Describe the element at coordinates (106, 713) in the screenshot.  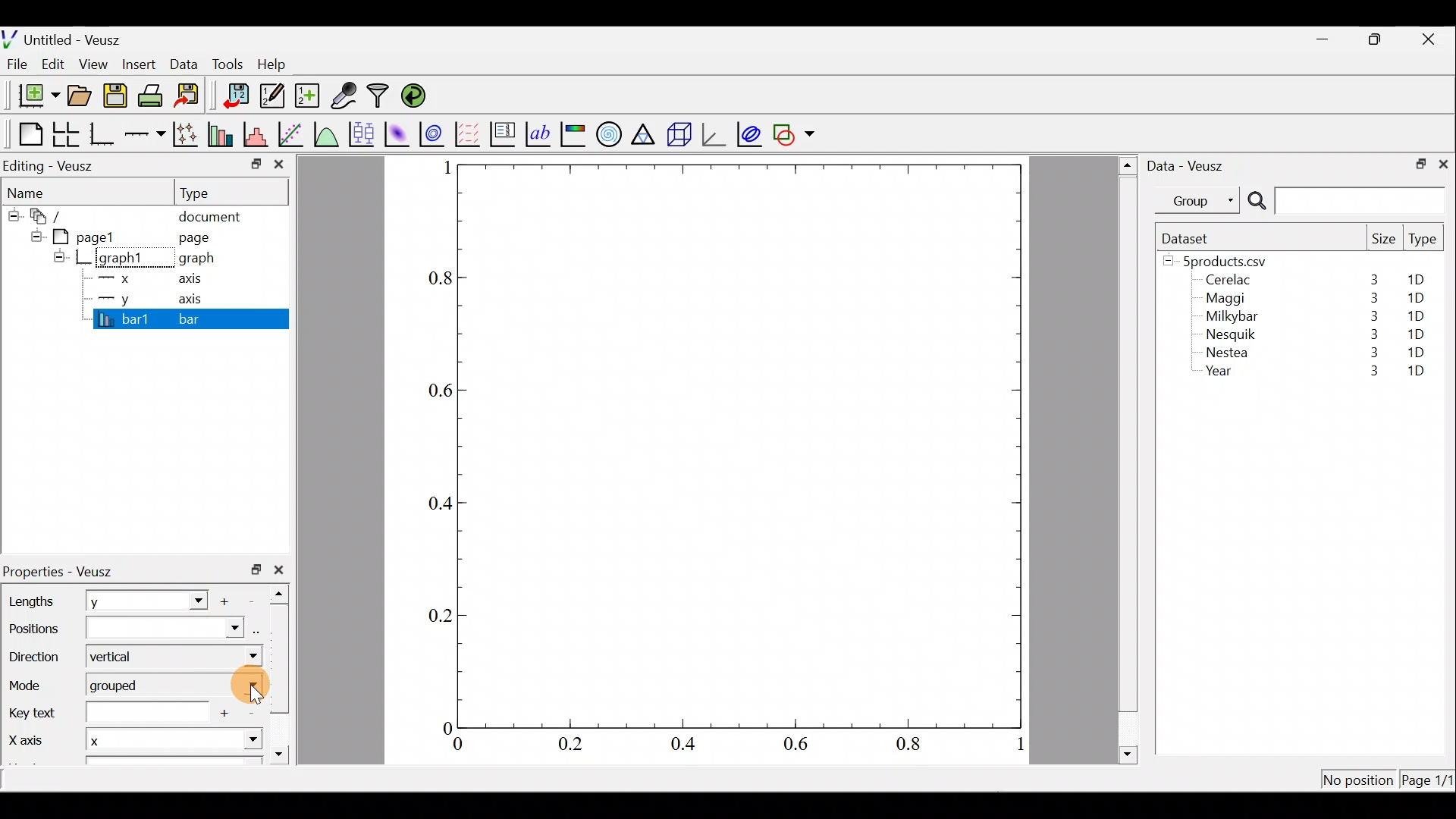
I see `Key text` at that location.